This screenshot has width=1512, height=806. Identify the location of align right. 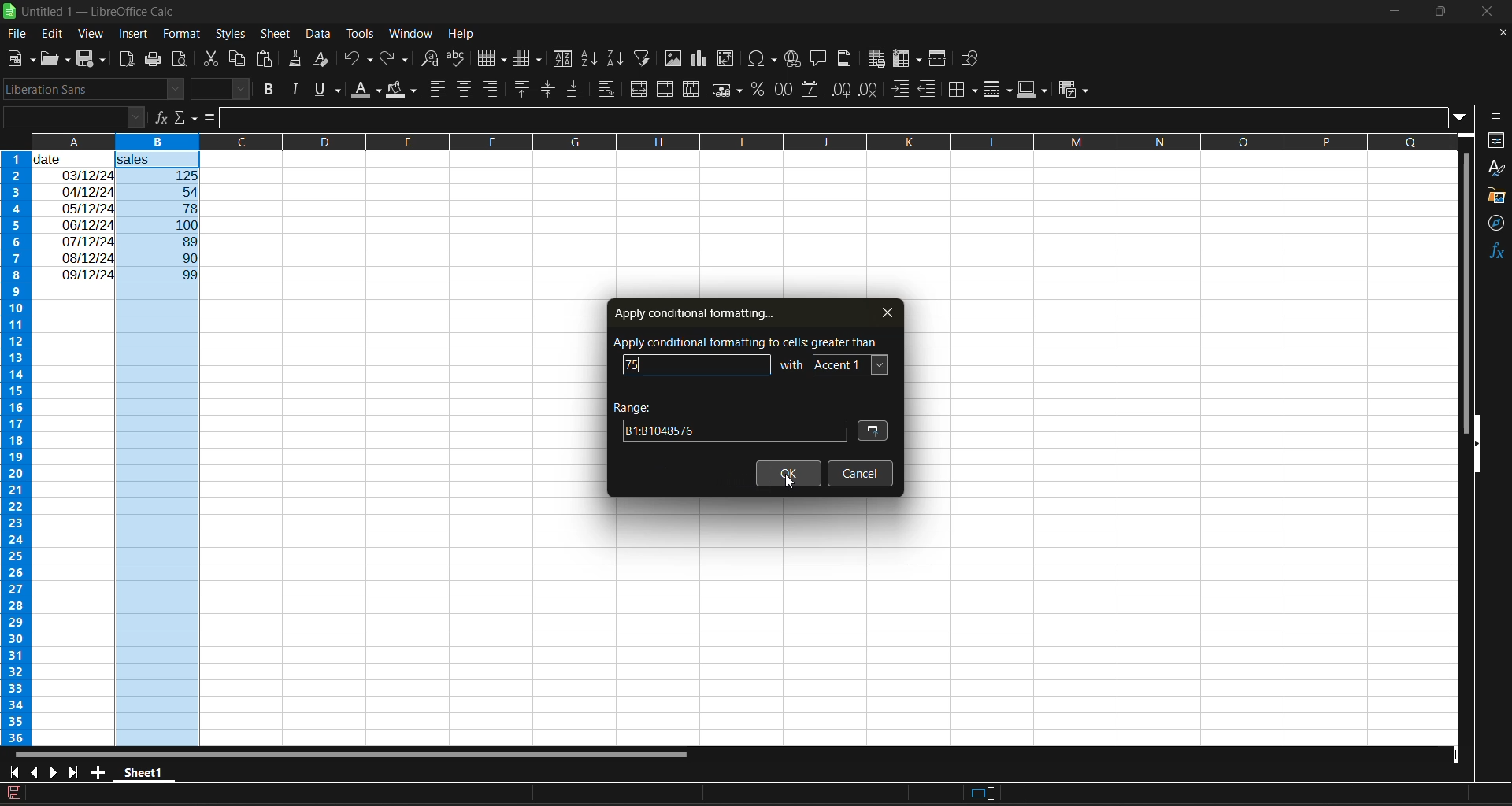
(491, 88).